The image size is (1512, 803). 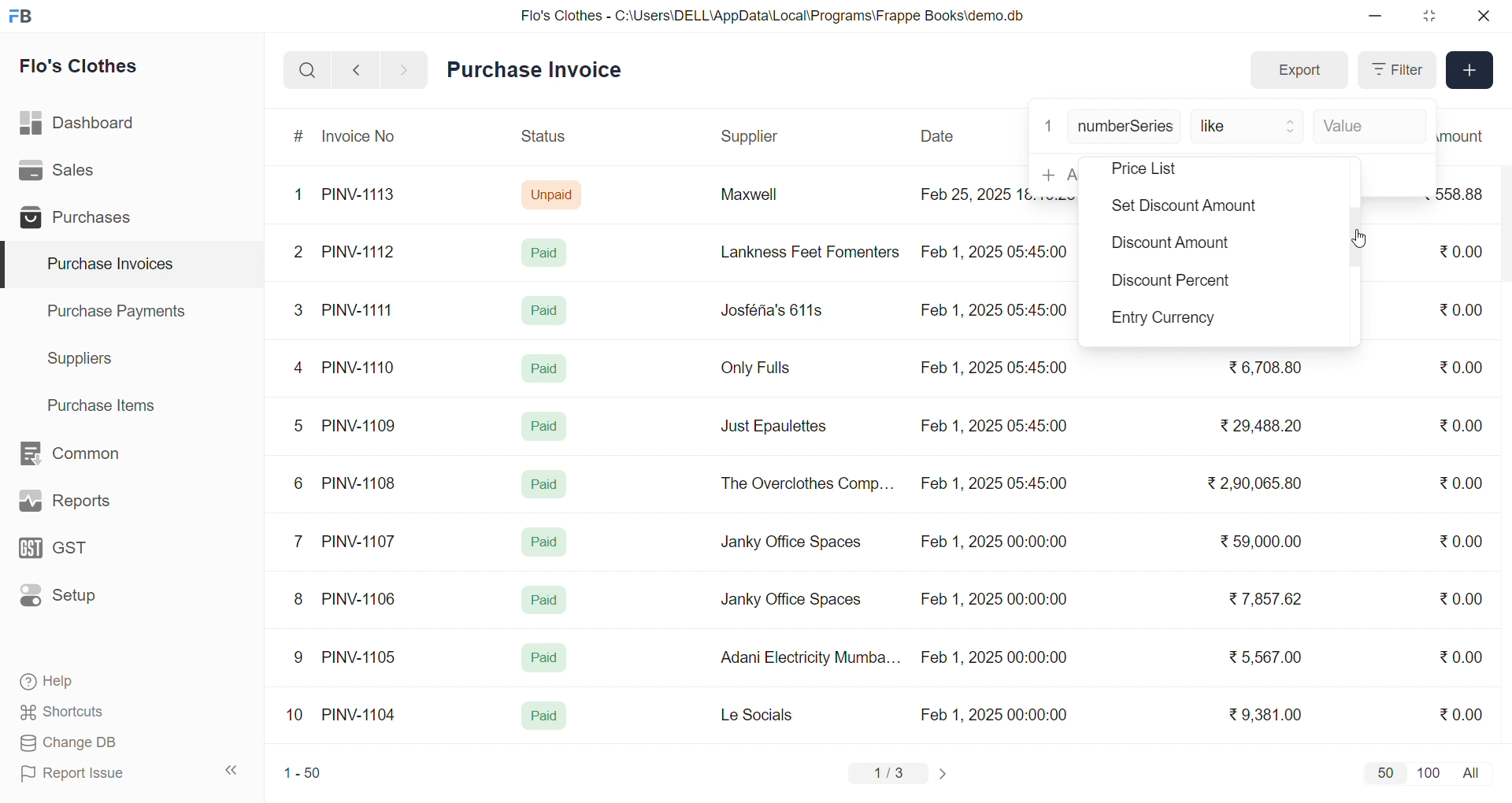 What do you see at coordinates (1170, 320) in the screenshot?
I see `Entry Currency` at bounding box center [1170, 320].